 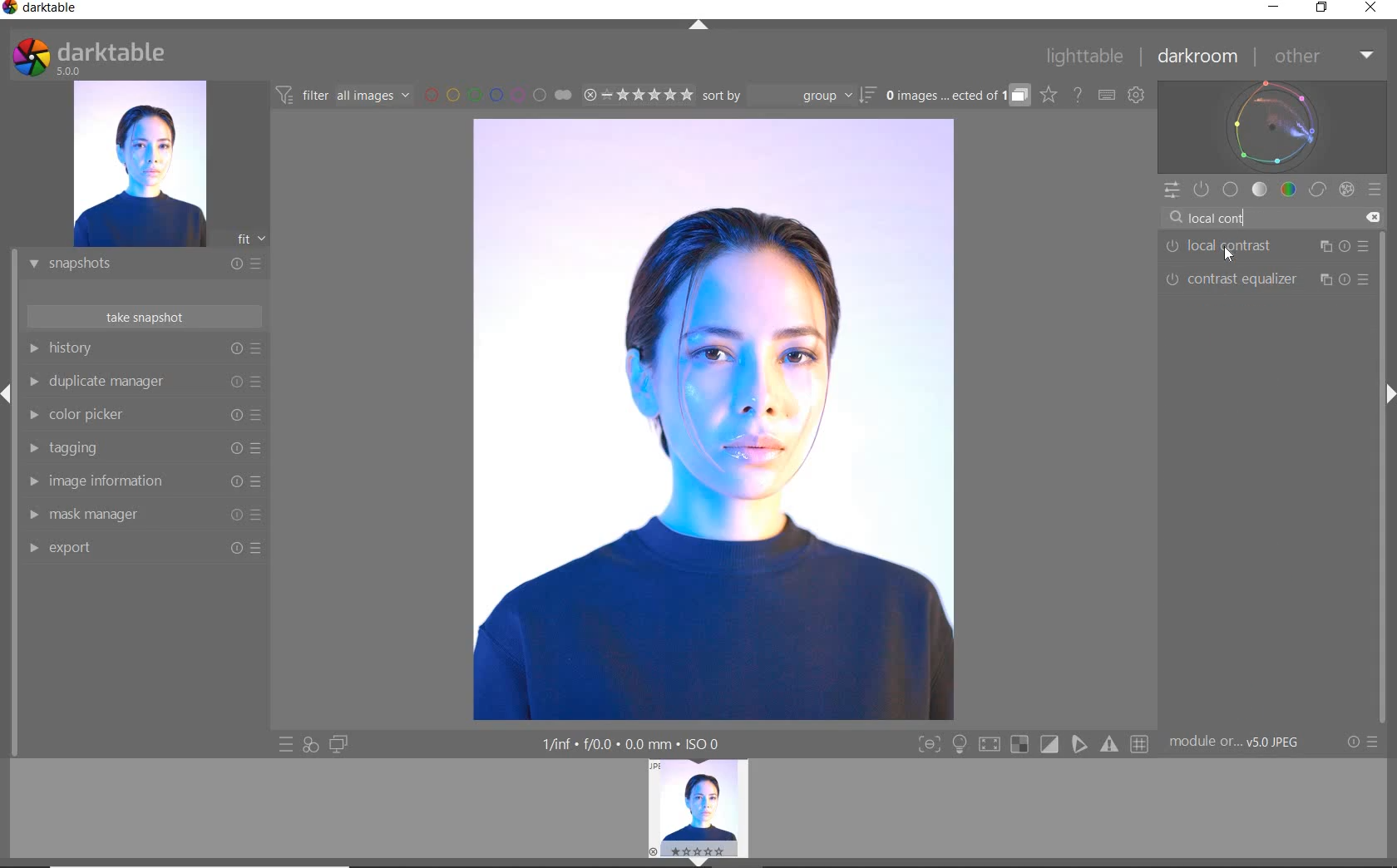 I want to click on TONE, so click(x=1261, y=190).